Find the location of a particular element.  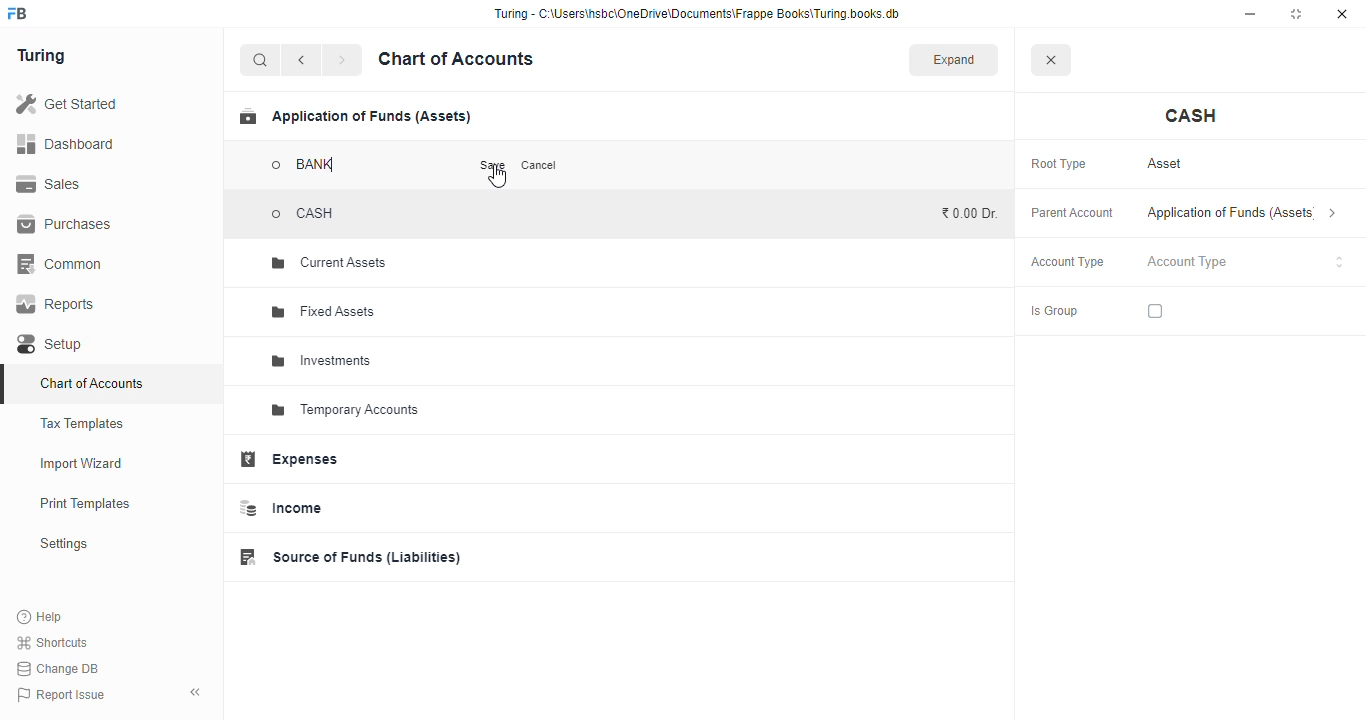

sales is located at coordinates (49, 184).